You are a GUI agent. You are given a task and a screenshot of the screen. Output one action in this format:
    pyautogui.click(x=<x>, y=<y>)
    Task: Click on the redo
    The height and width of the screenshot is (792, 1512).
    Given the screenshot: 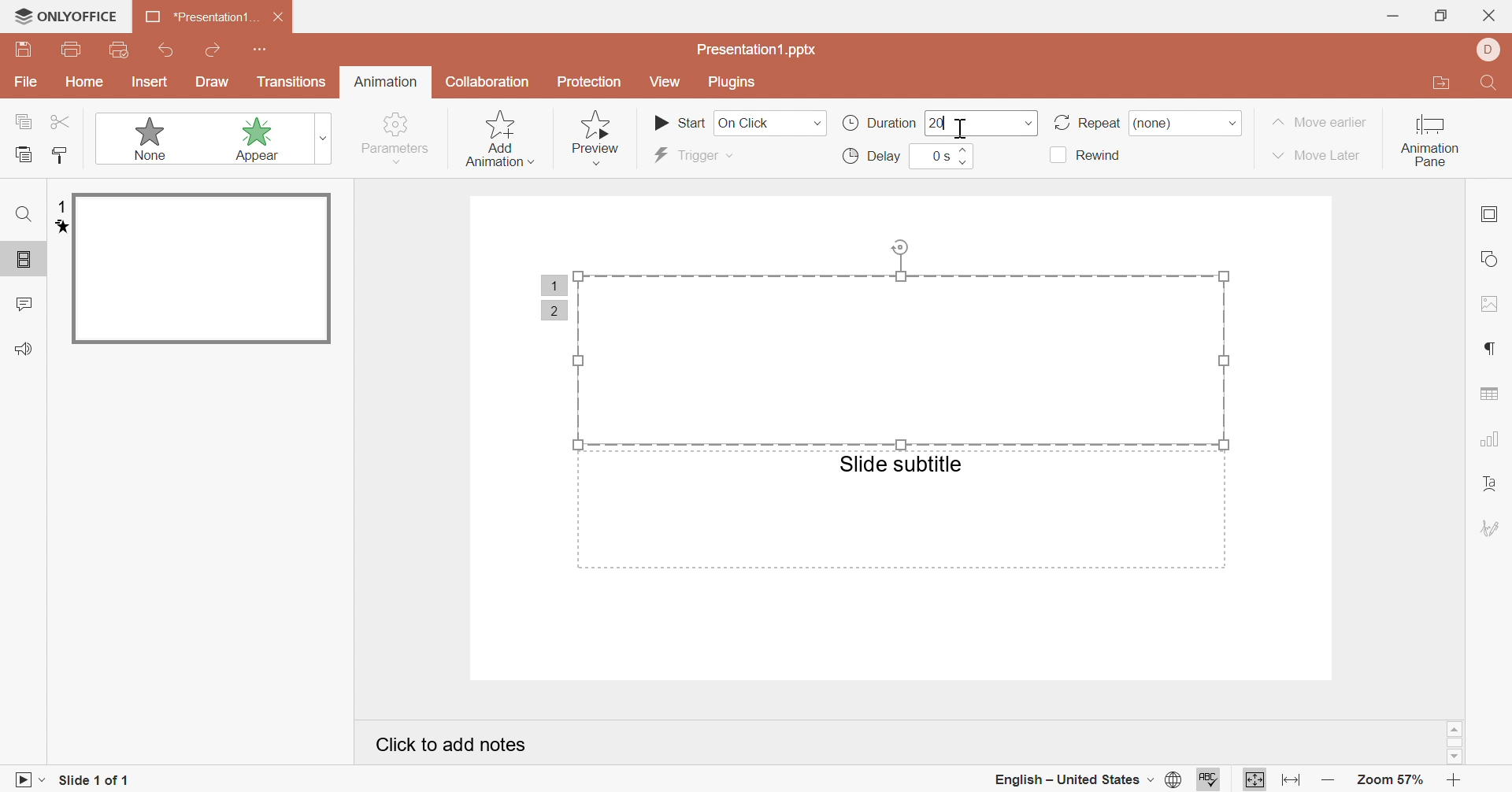 What is the action you would take?
    pyautogui.click(x=215, y=49)
    